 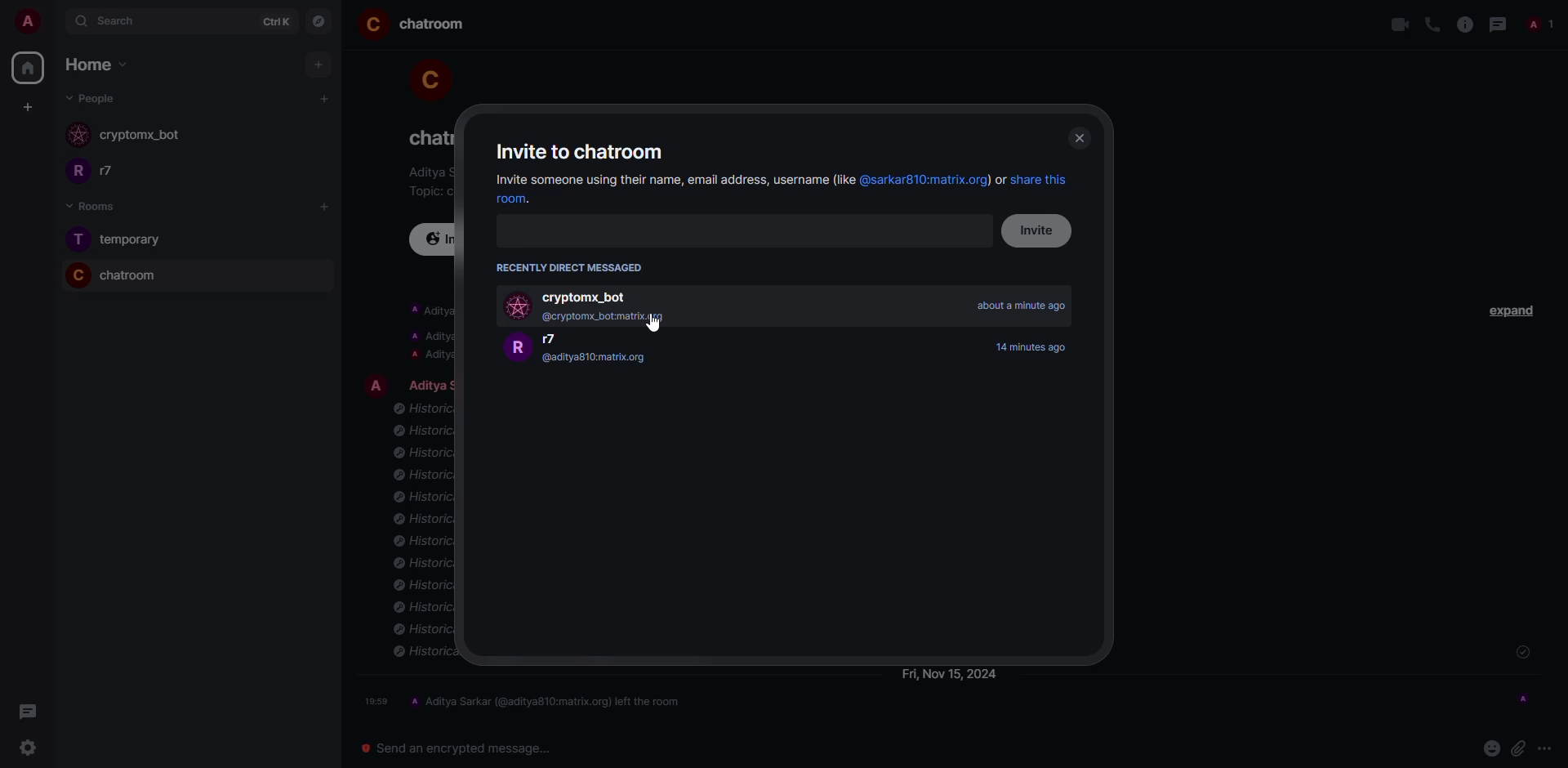 What do you see at coordinates (450, 747) in the screenshot?
I see `send encrypted message` at bounding box center [450, 747].